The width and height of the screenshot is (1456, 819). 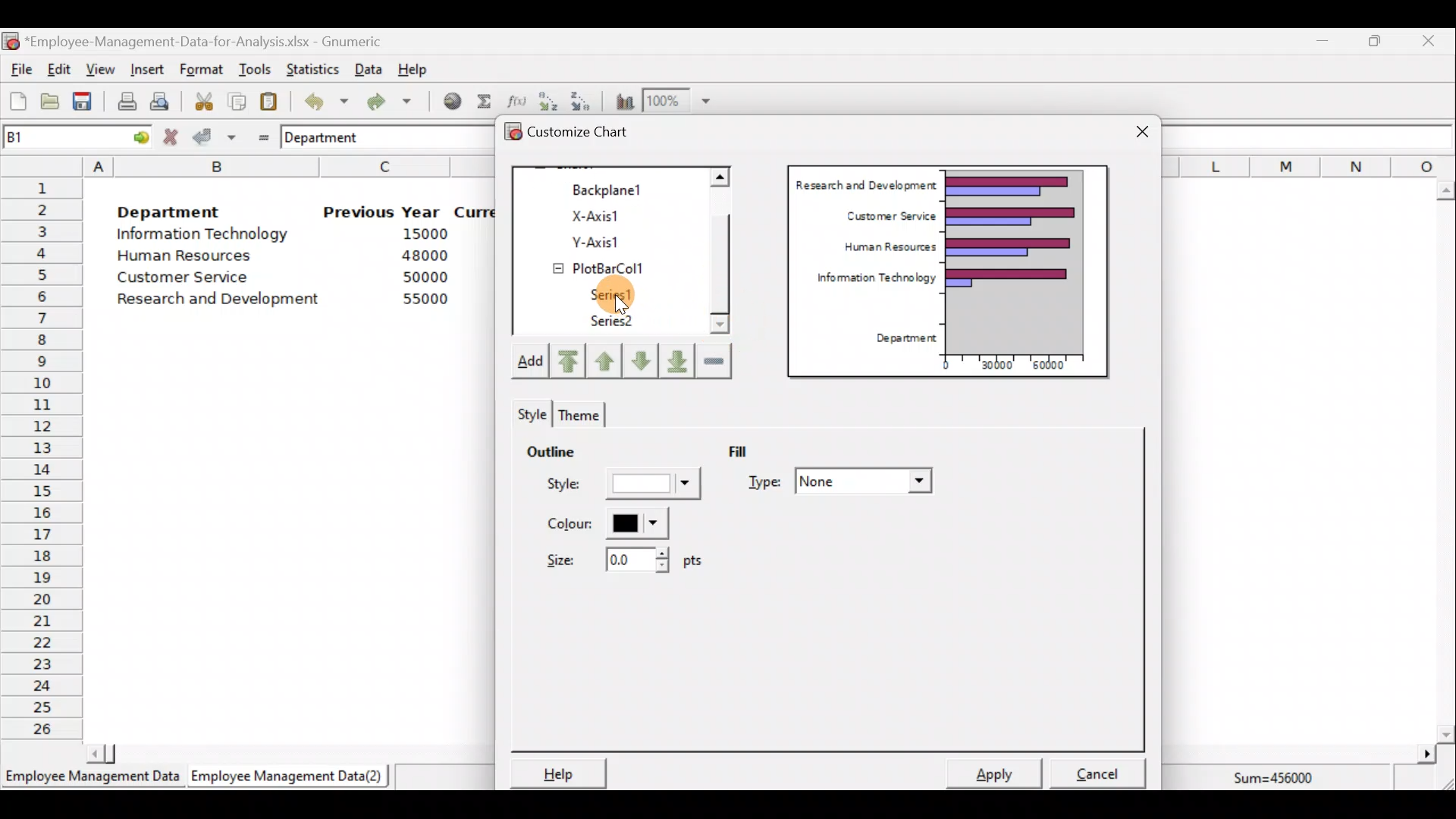 I want to click on View, so click(x=99, y=70).